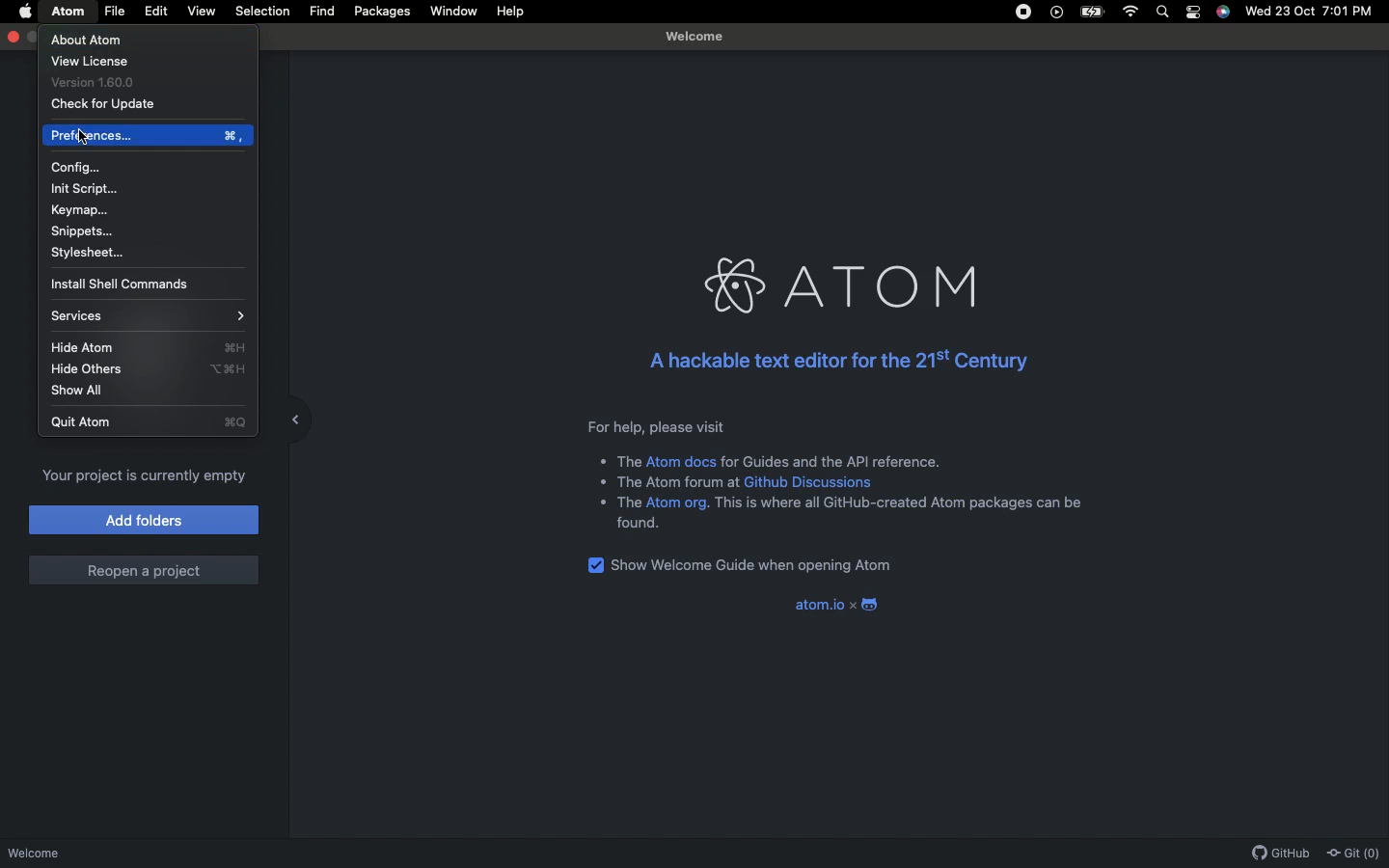 The image size is (1389, 868). I want to click on Git(0), so click(1350, 852).